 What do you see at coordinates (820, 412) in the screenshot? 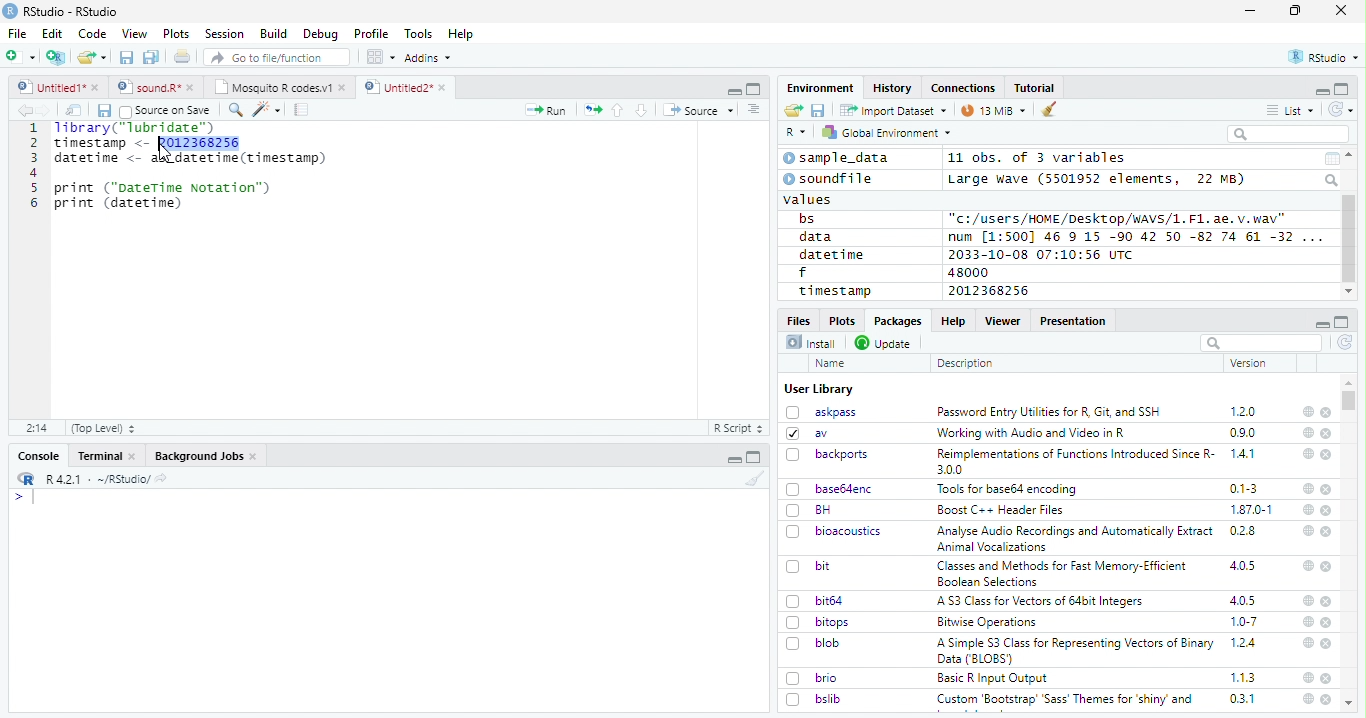
I see `askpass` at bounding box center [820, 412].